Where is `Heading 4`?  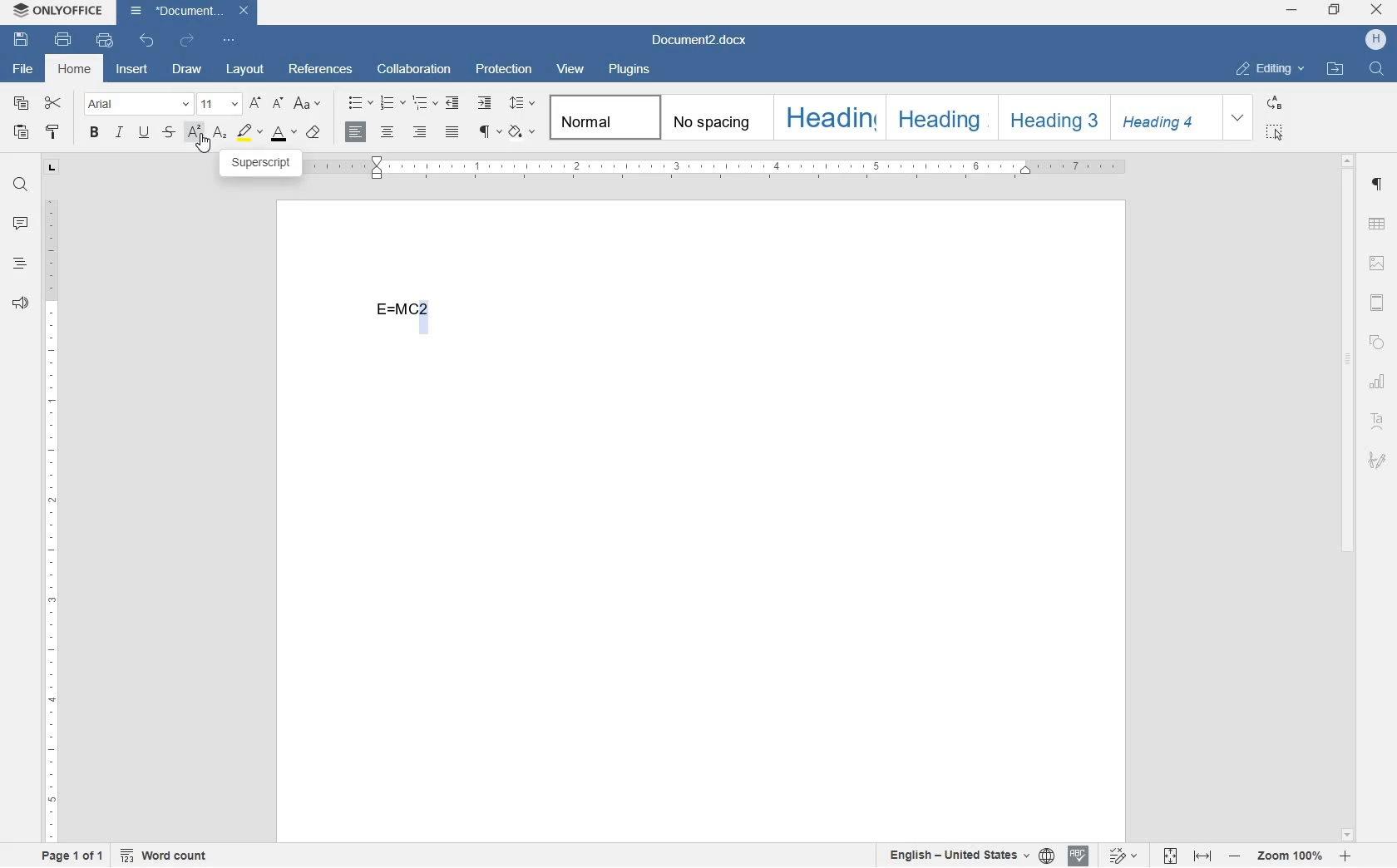 Heading 4 is located at coordinates (1158, 118).